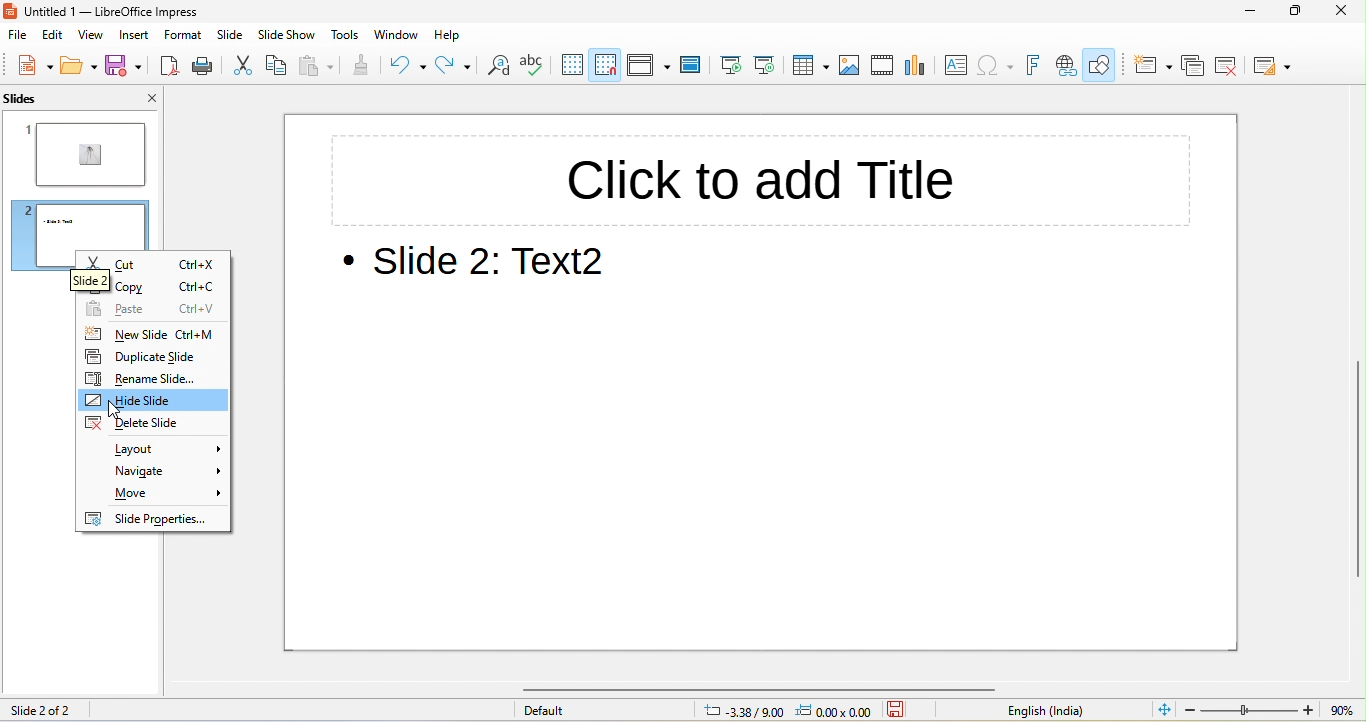 The width and height of the screenshot is (1366, 722). What do you see at coordinates (144, 97) in the screenshot?
I see `close` at bounding box center [144, 97].